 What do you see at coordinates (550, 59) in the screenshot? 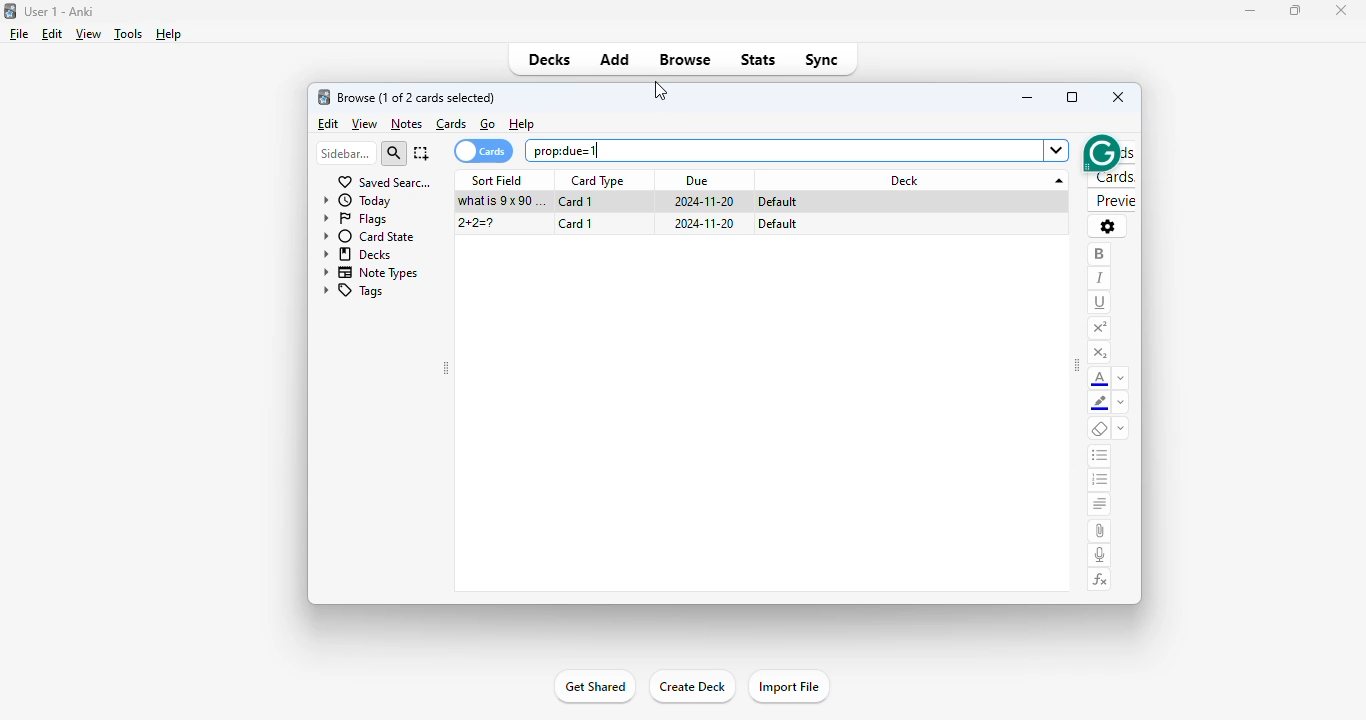
I see `decks` at bounding box center [550, 59].